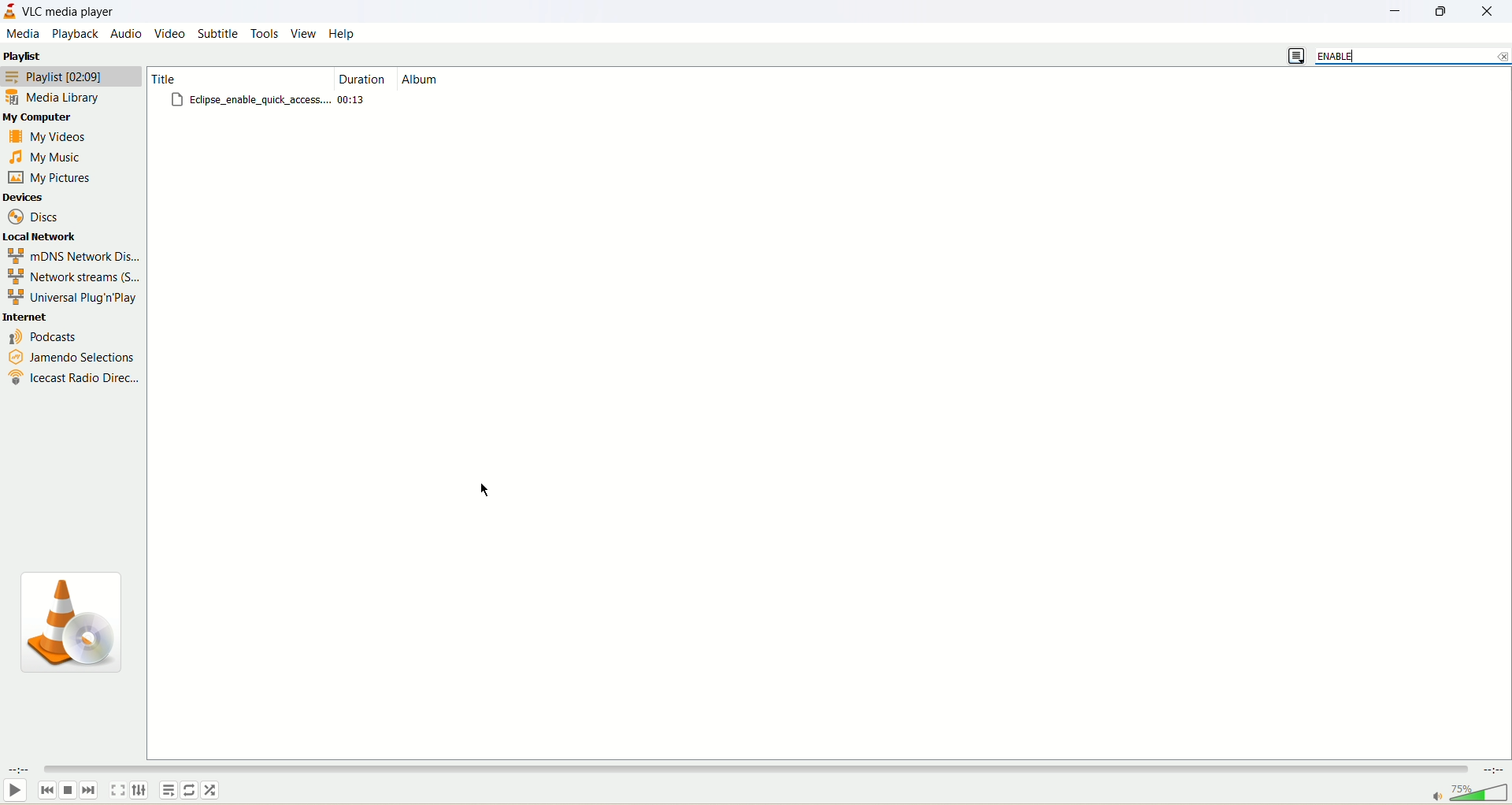 This screenshot has width=1512, height=805. I want to click on universal plug n Play, so click(70, 297).